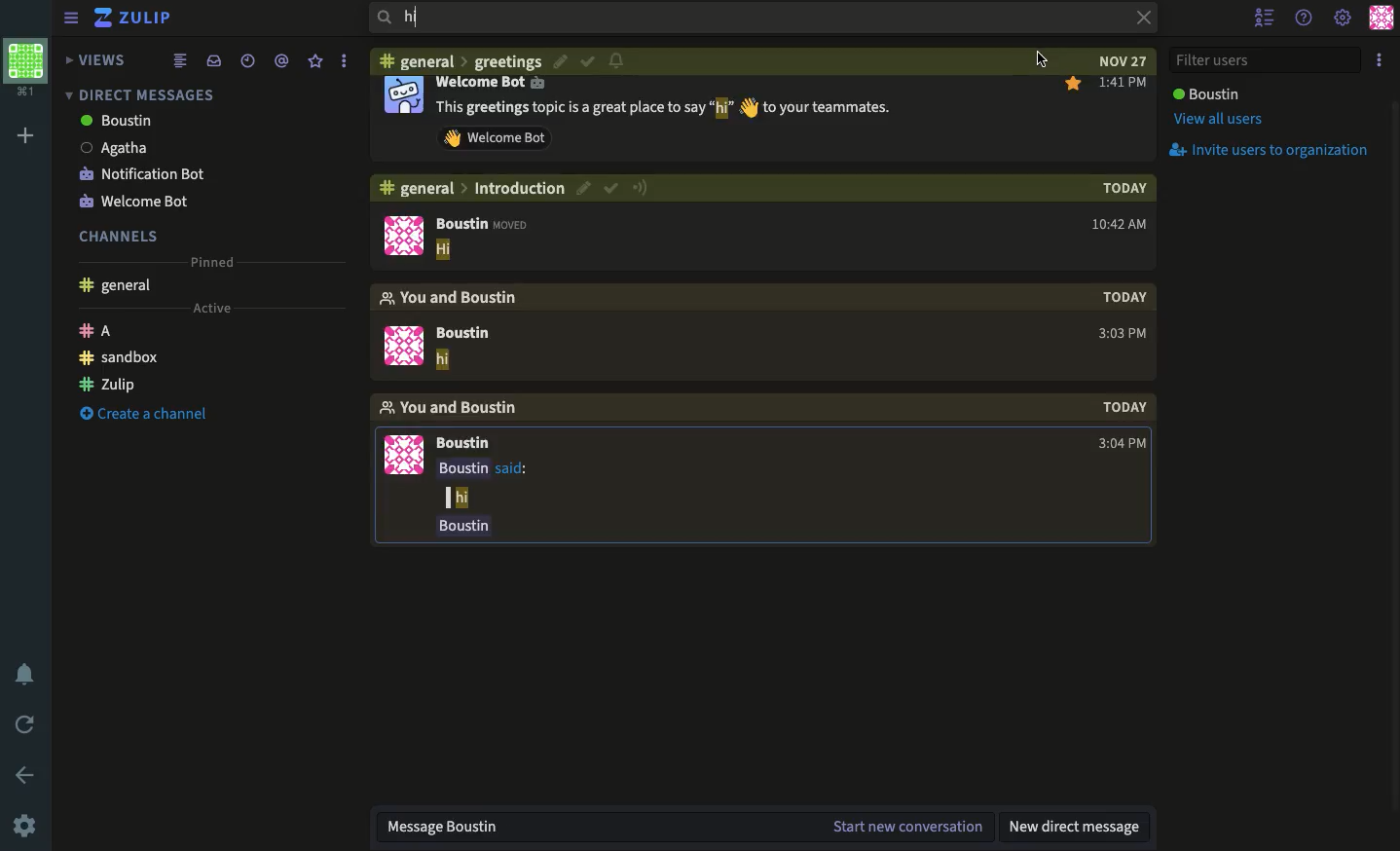  Describe the element at coordinates (640, 188) in the screenshot. I see `active status` at that location.